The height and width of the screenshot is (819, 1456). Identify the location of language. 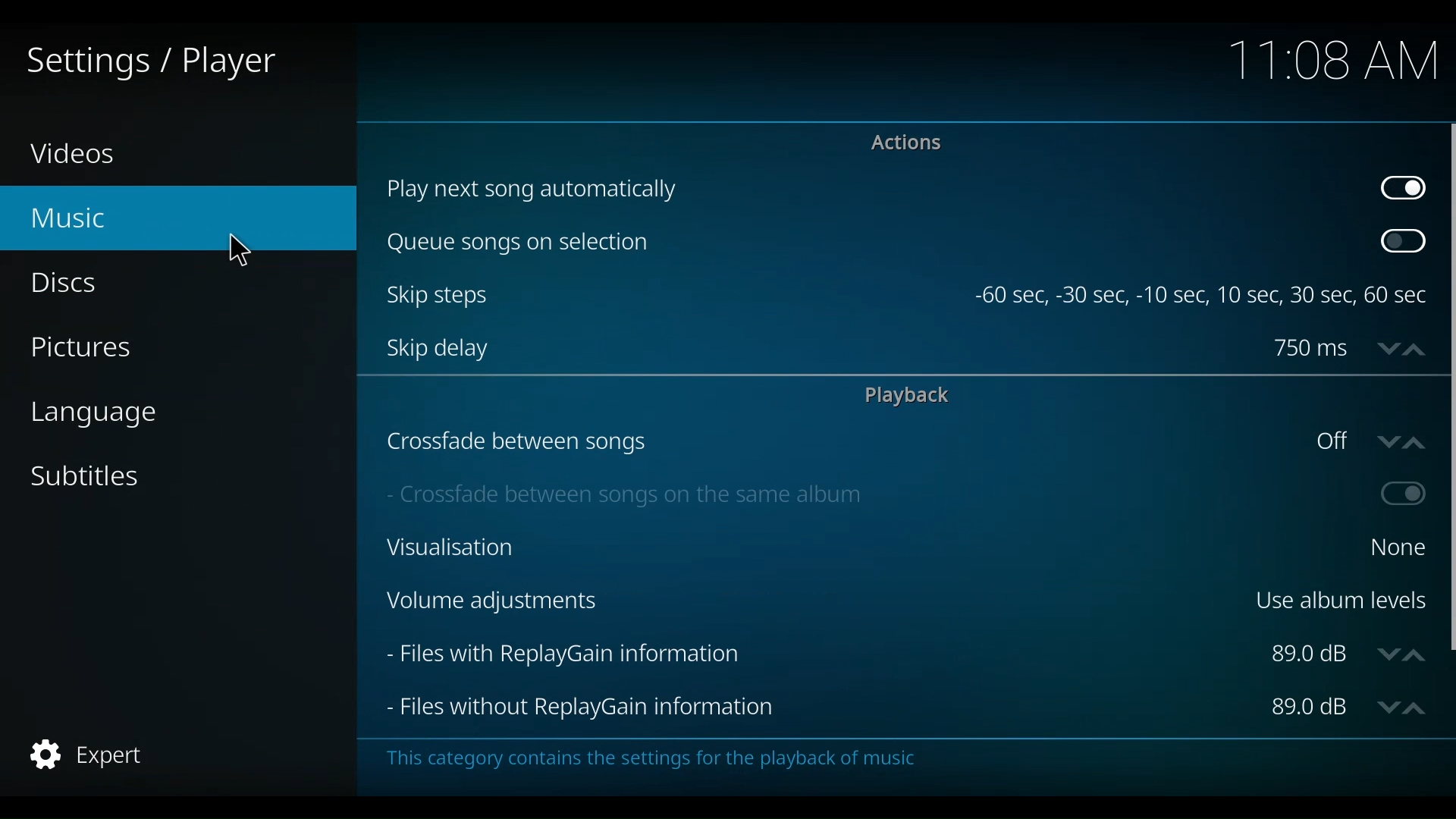
(101, 418).